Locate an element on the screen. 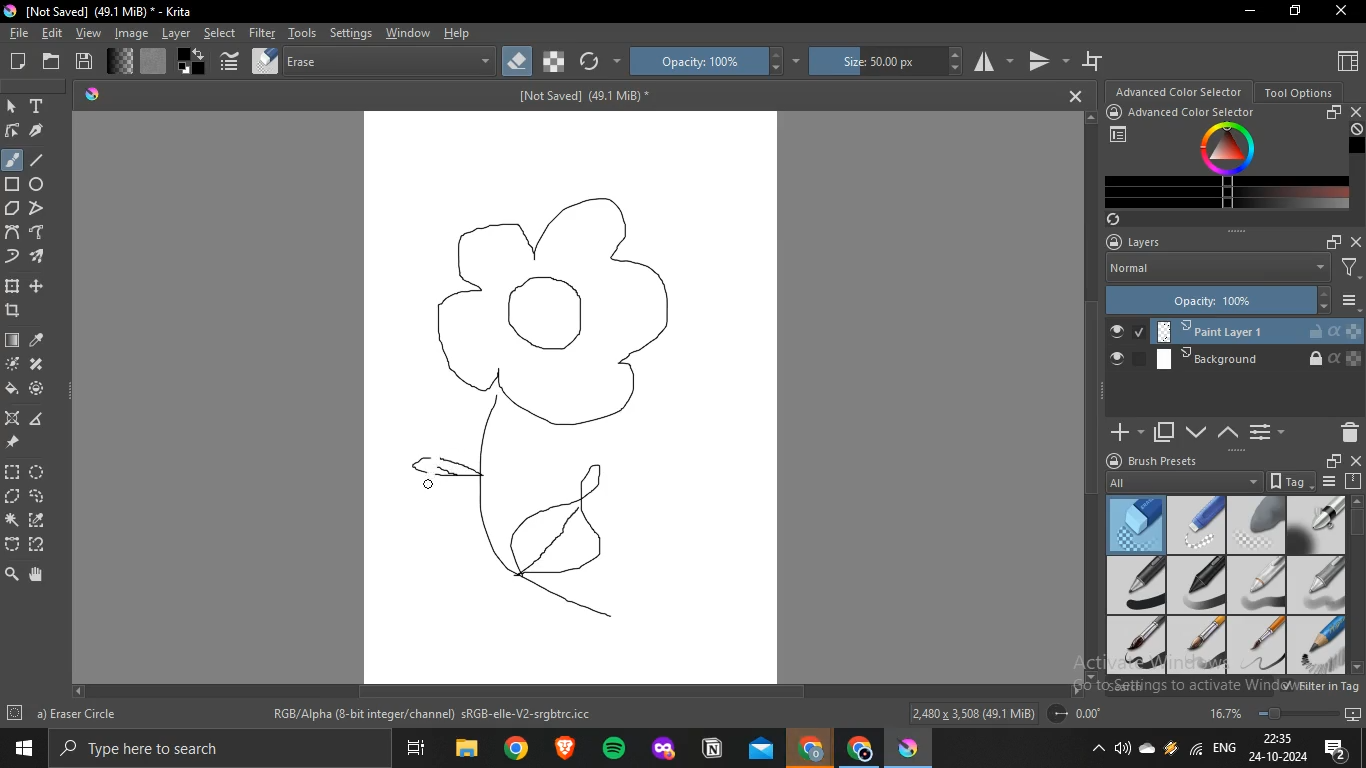 The image size is (1366, 768). zoom tool is located at coordinates (11, 573).